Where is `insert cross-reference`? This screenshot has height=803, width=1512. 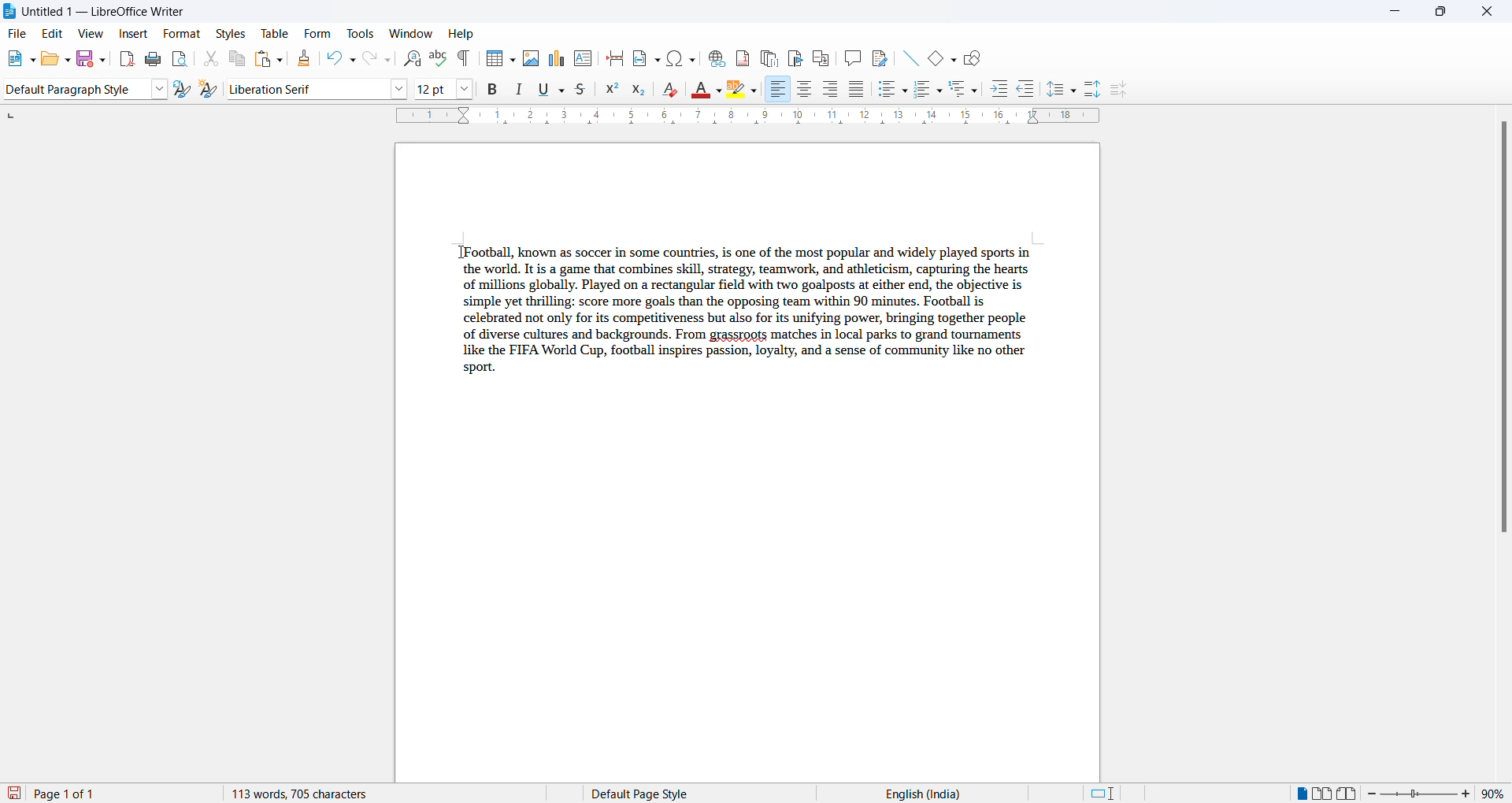
insert cross-reference is located at coordinates (825, 58).